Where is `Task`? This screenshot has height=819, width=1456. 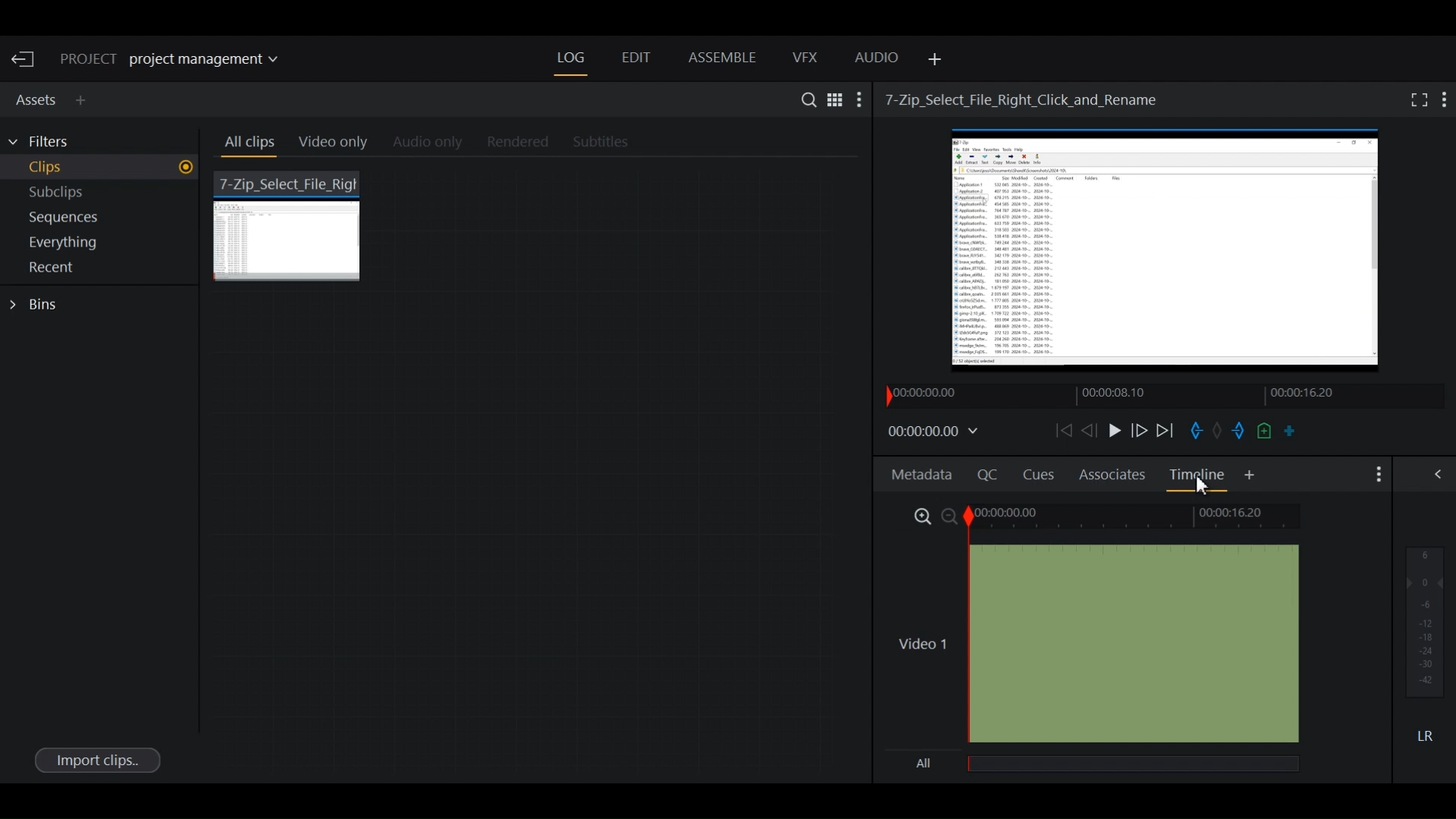
Task is located at coordinates (1218, 428).